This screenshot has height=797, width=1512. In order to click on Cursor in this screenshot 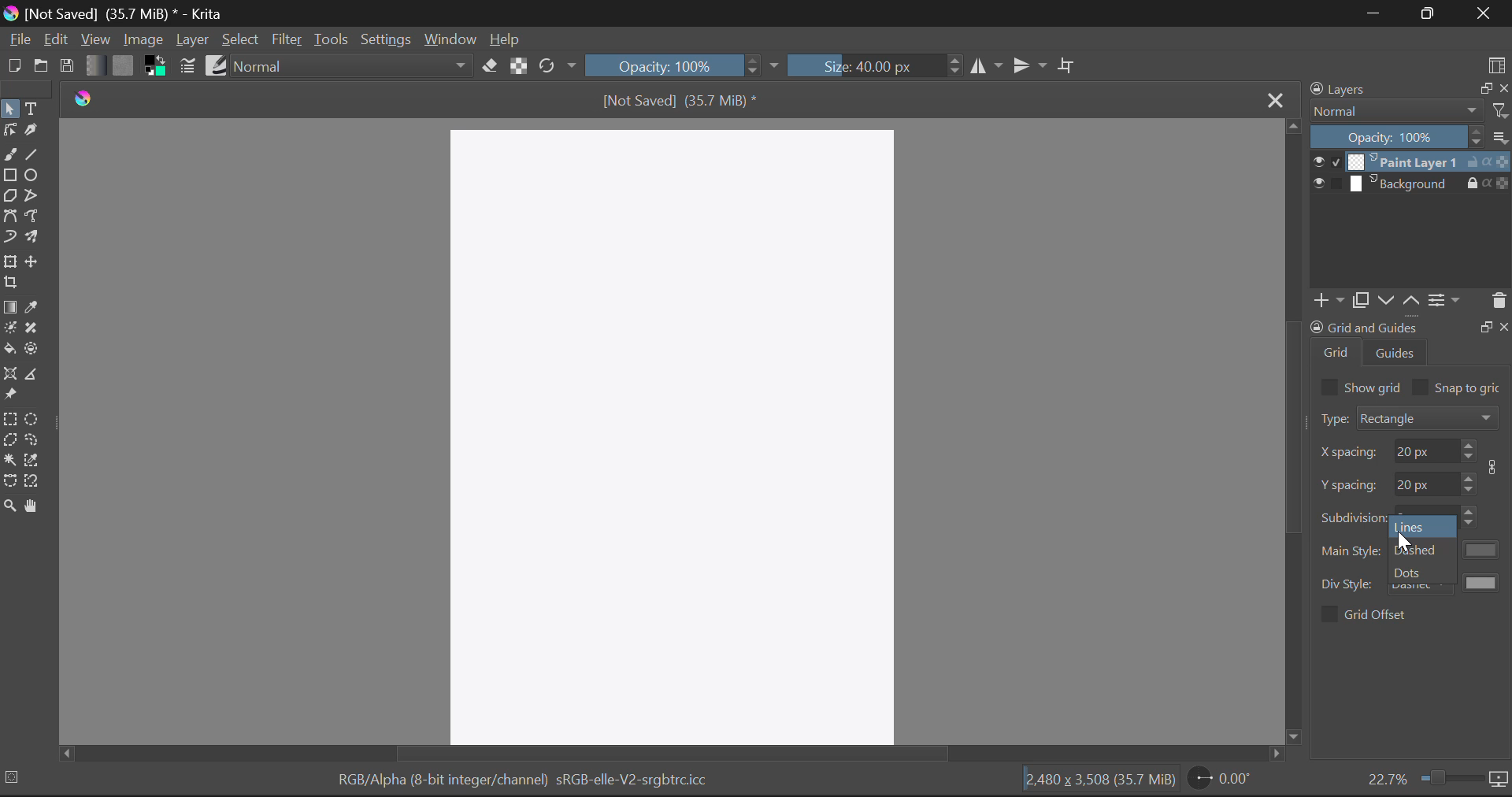, I will do `click(1405, 540)`.